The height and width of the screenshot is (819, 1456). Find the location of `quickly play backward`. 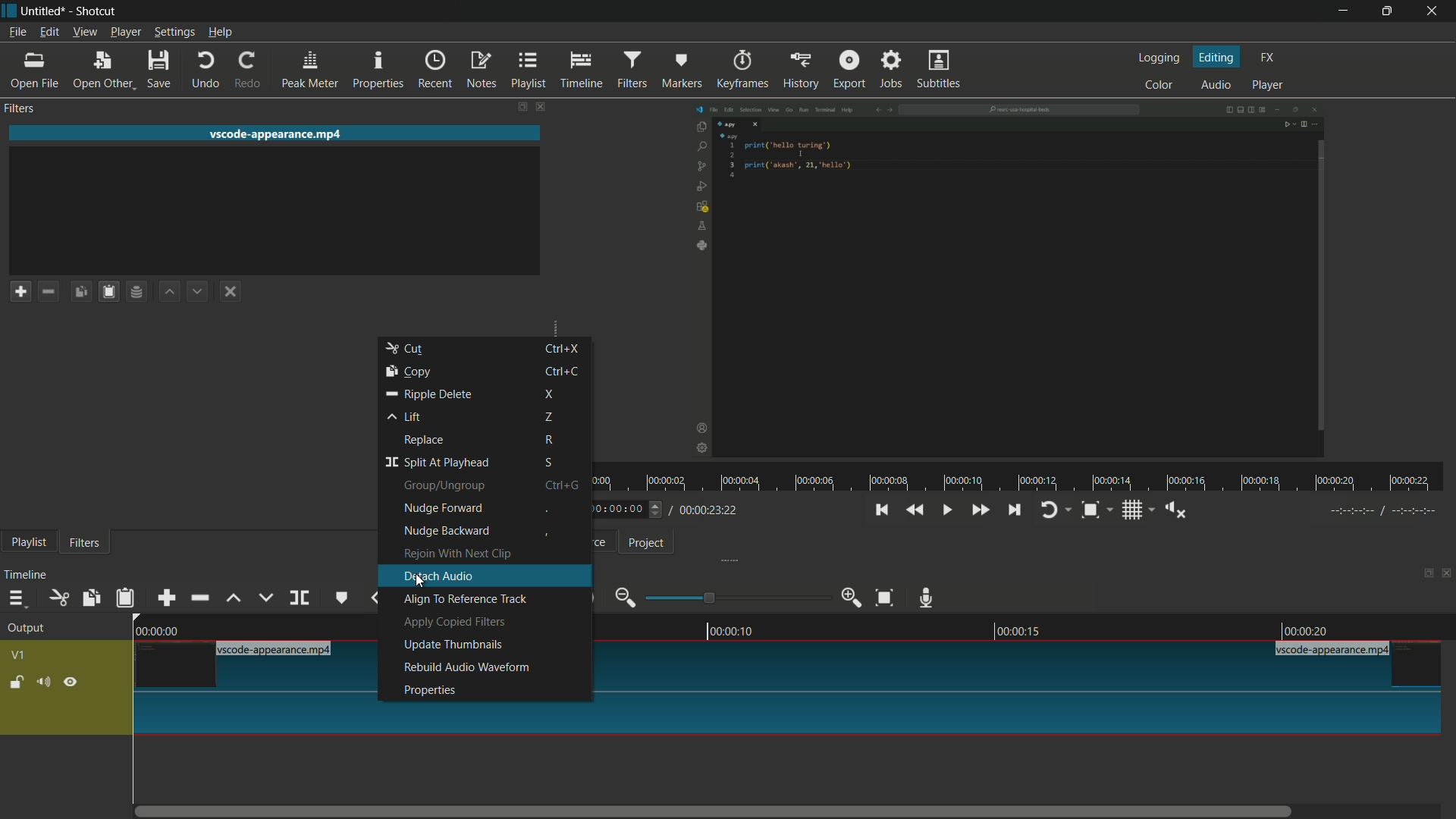

quickly play backward is located at coordinates (916, 510).